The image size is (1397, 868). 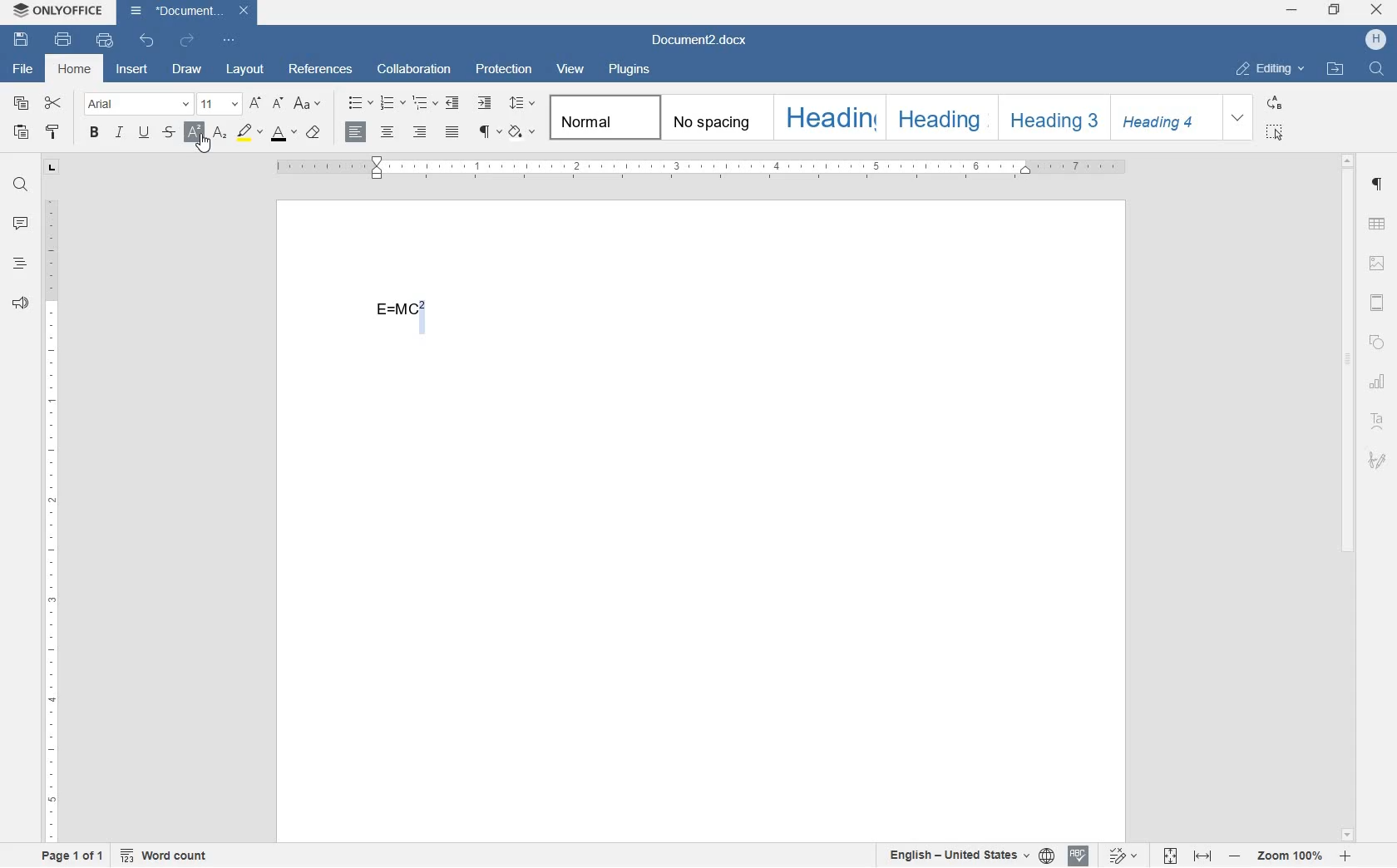 I want to click on Heading 3, so click(x=1051, y=116).